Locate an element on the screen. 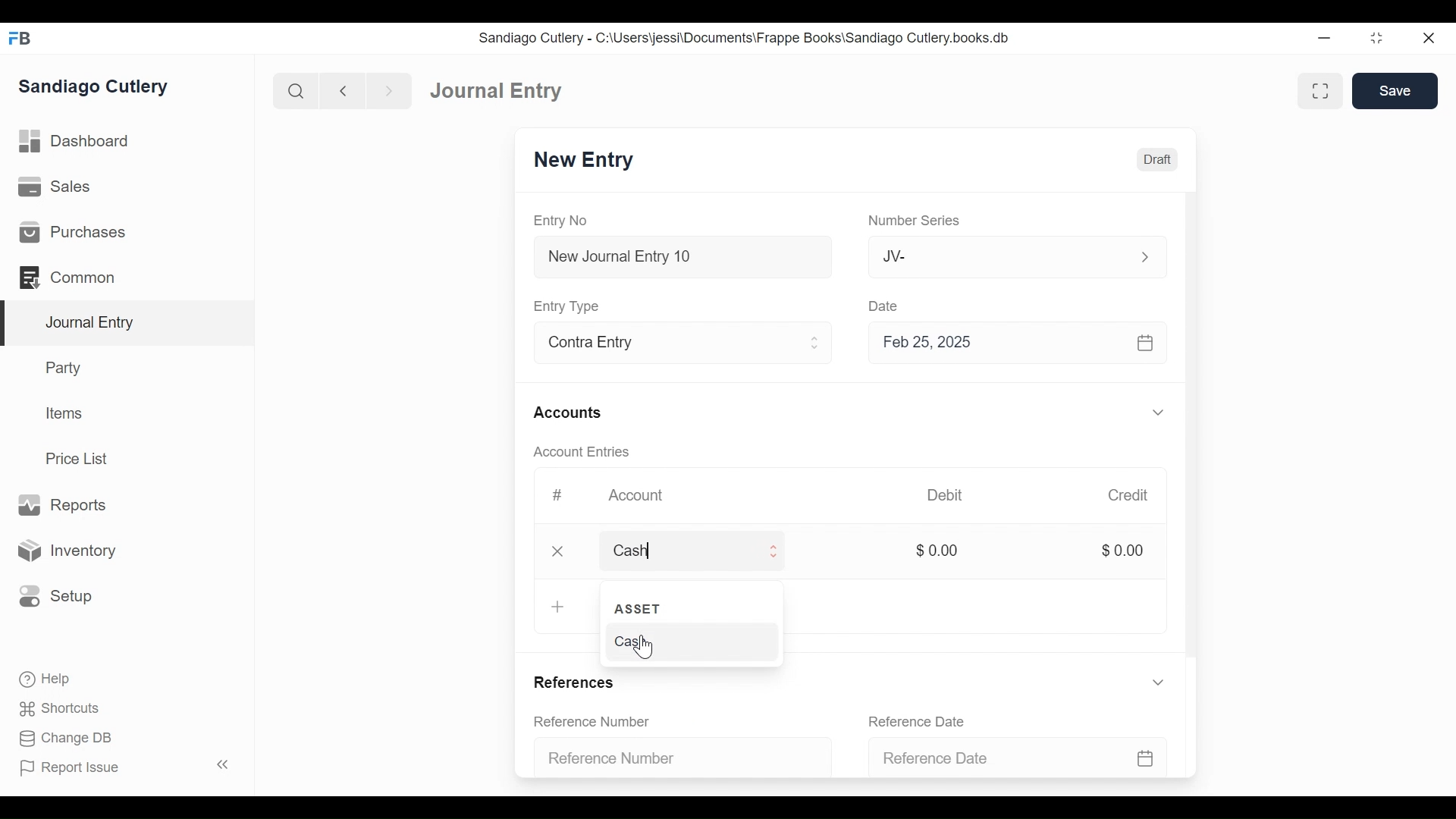  Price List is located at coordinates (80, 458).